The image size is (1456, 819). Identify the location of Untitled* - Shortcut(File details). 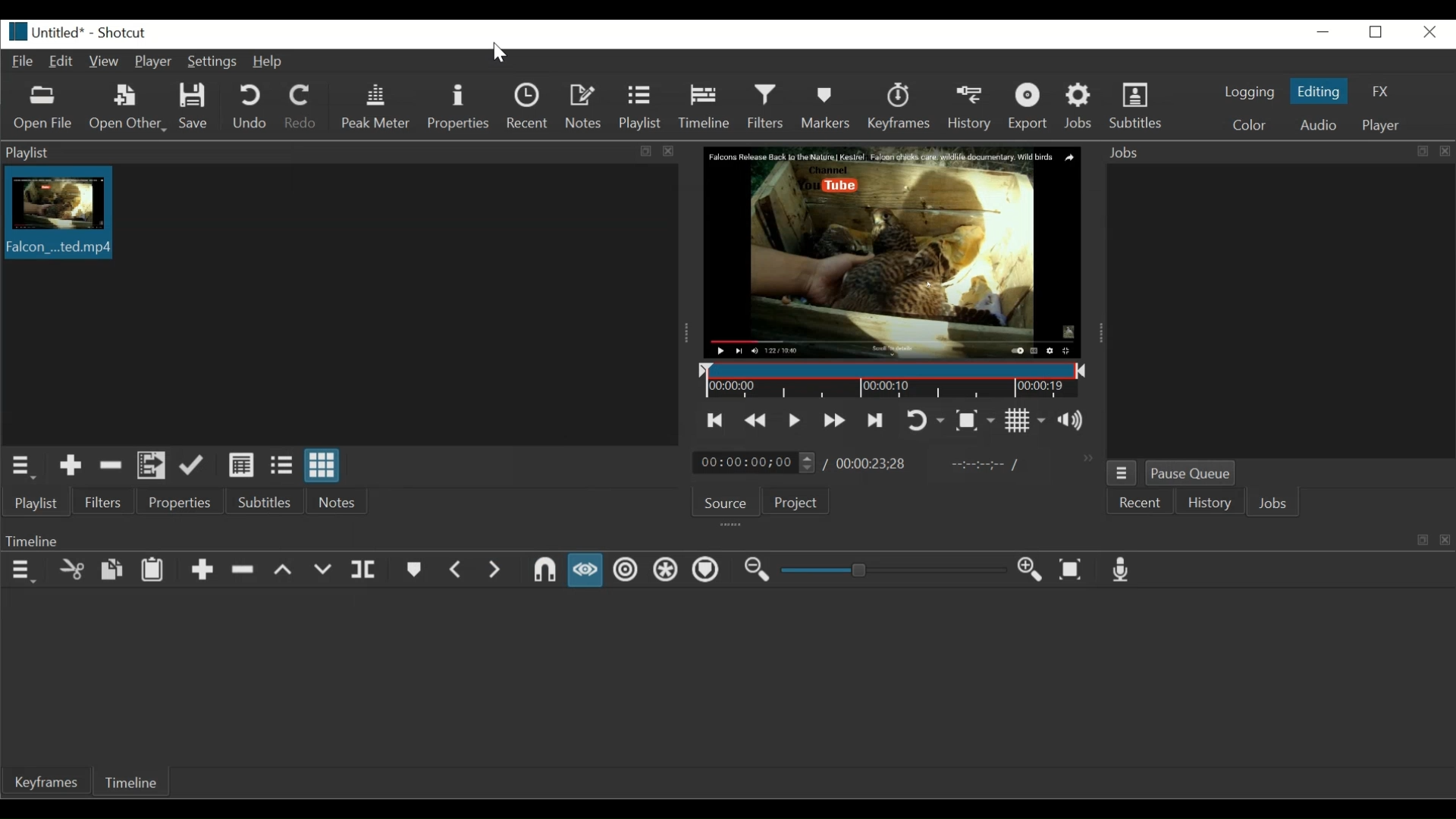
(88, 33).